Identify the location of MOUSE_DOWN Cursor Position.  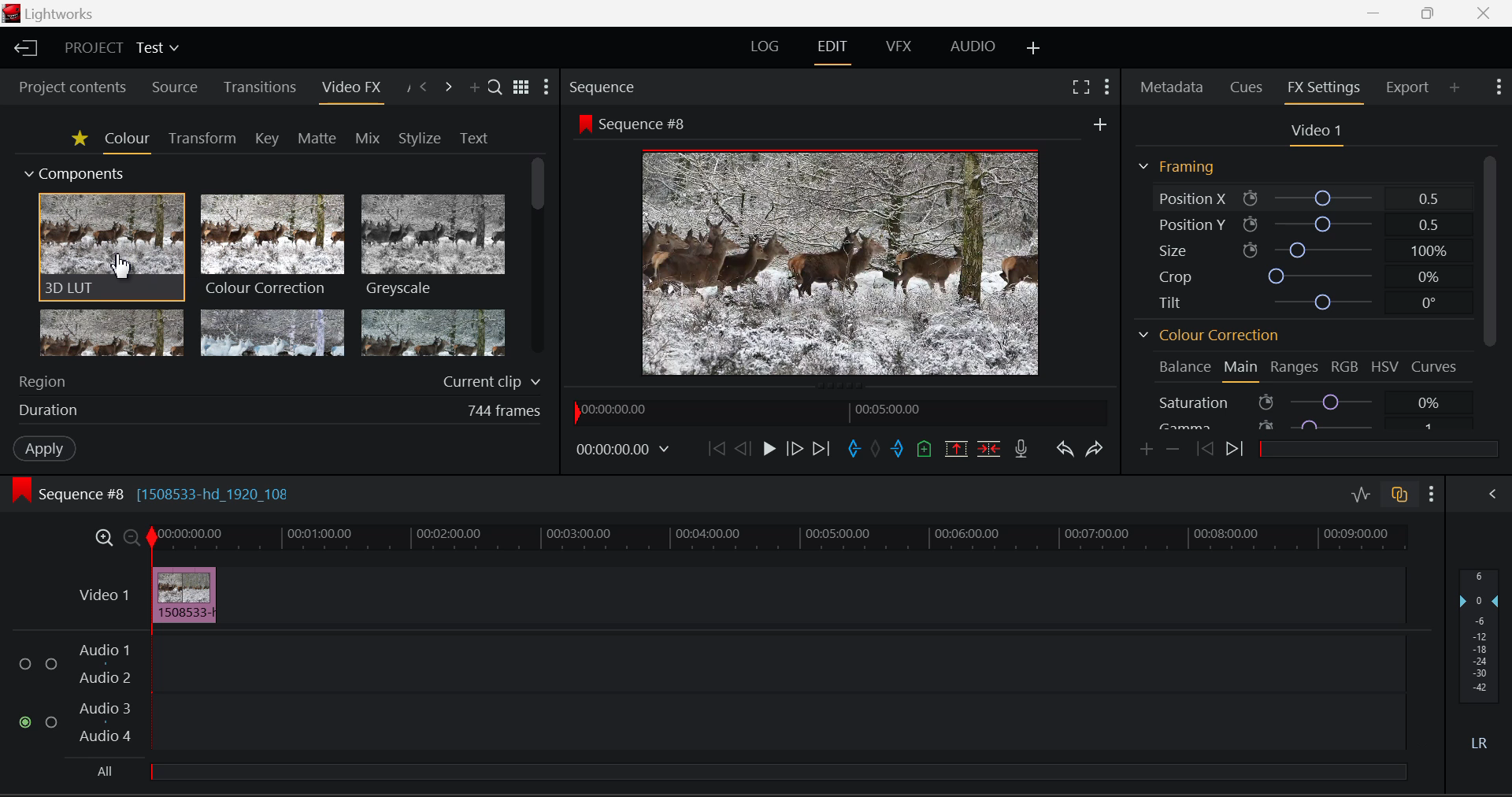
(121, 267).